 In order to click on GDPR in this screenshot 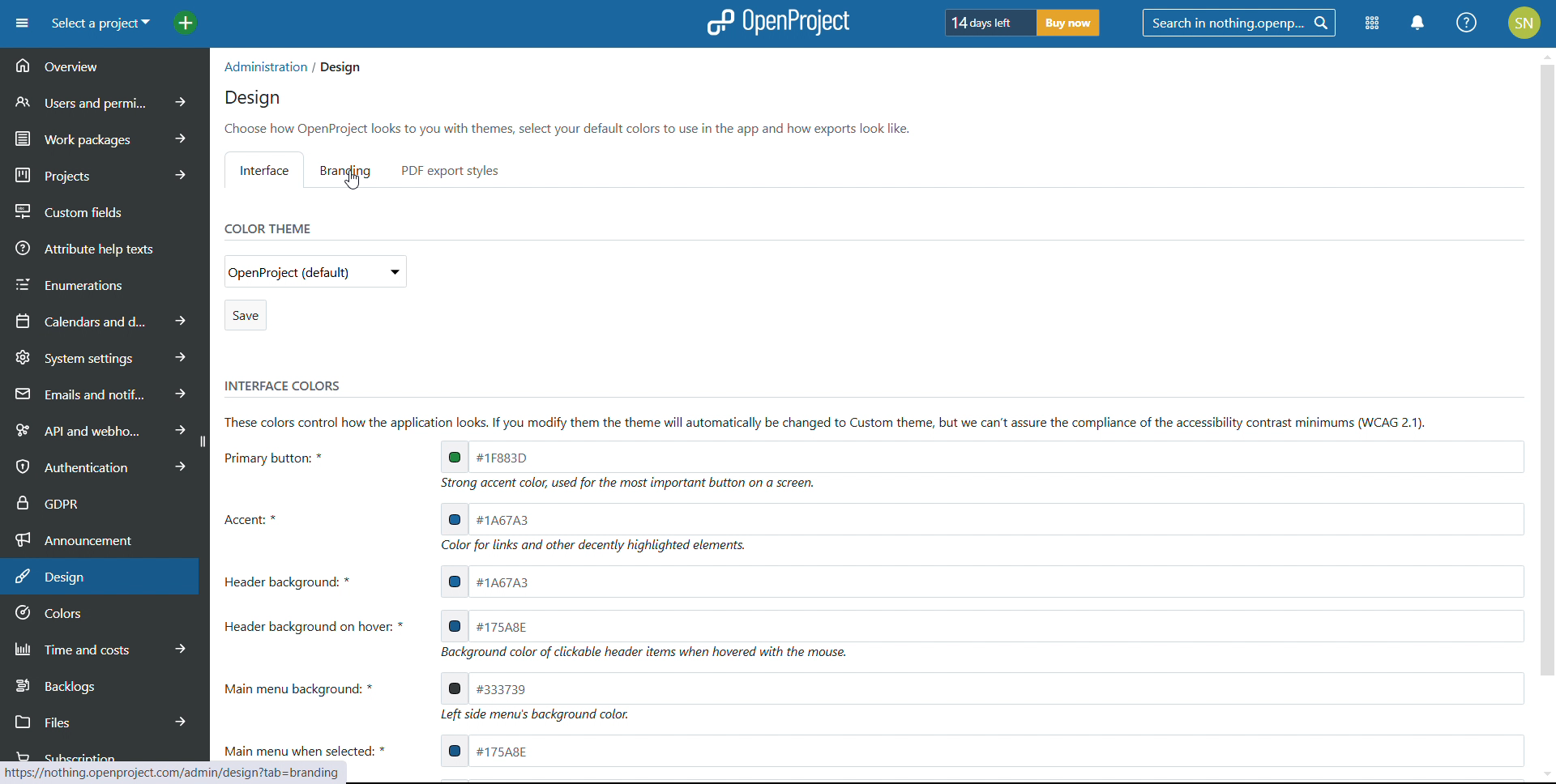, I will do `click(104, 501)`.